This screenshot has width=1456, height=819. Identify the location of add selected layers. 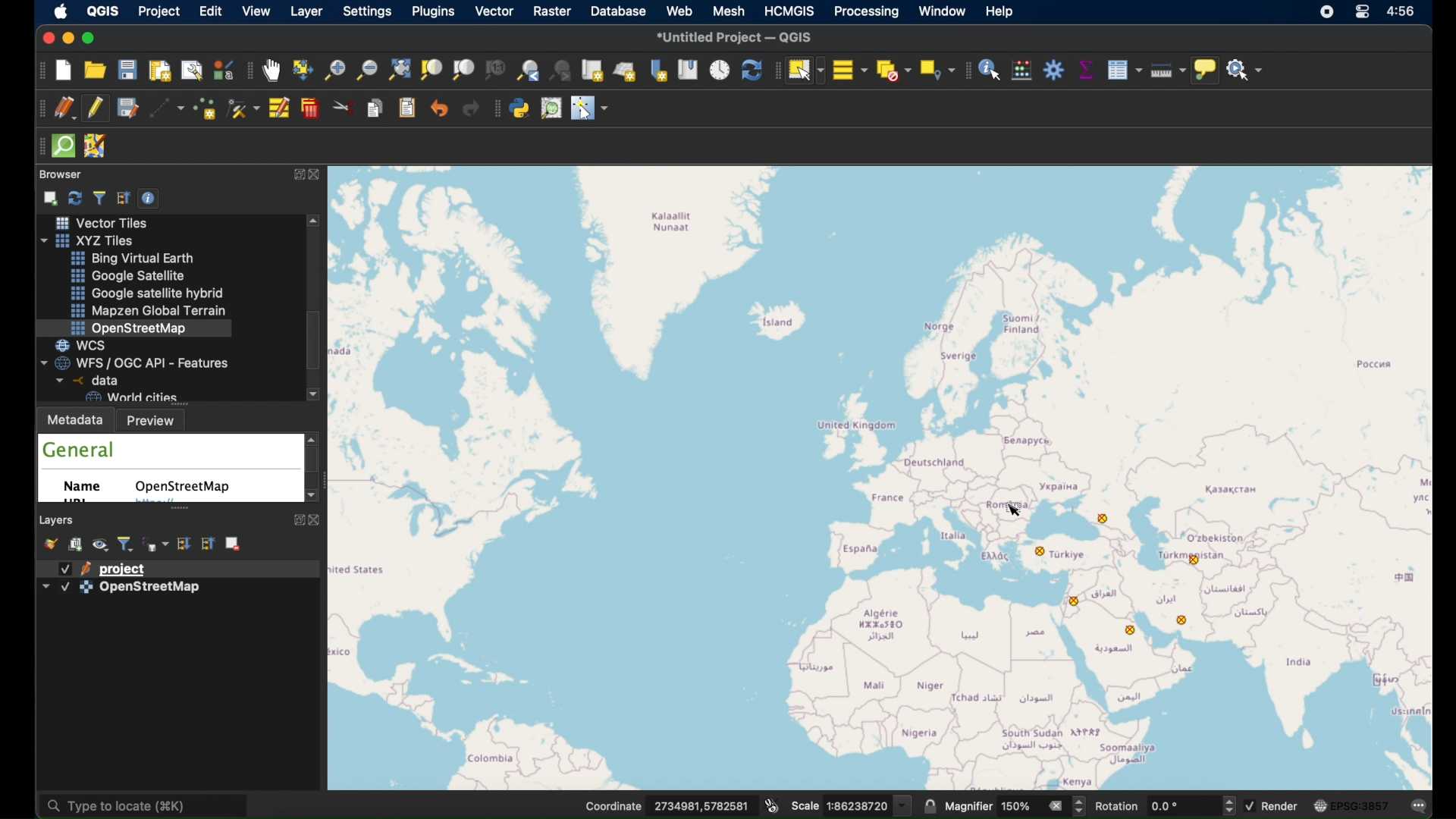
(49, 197).